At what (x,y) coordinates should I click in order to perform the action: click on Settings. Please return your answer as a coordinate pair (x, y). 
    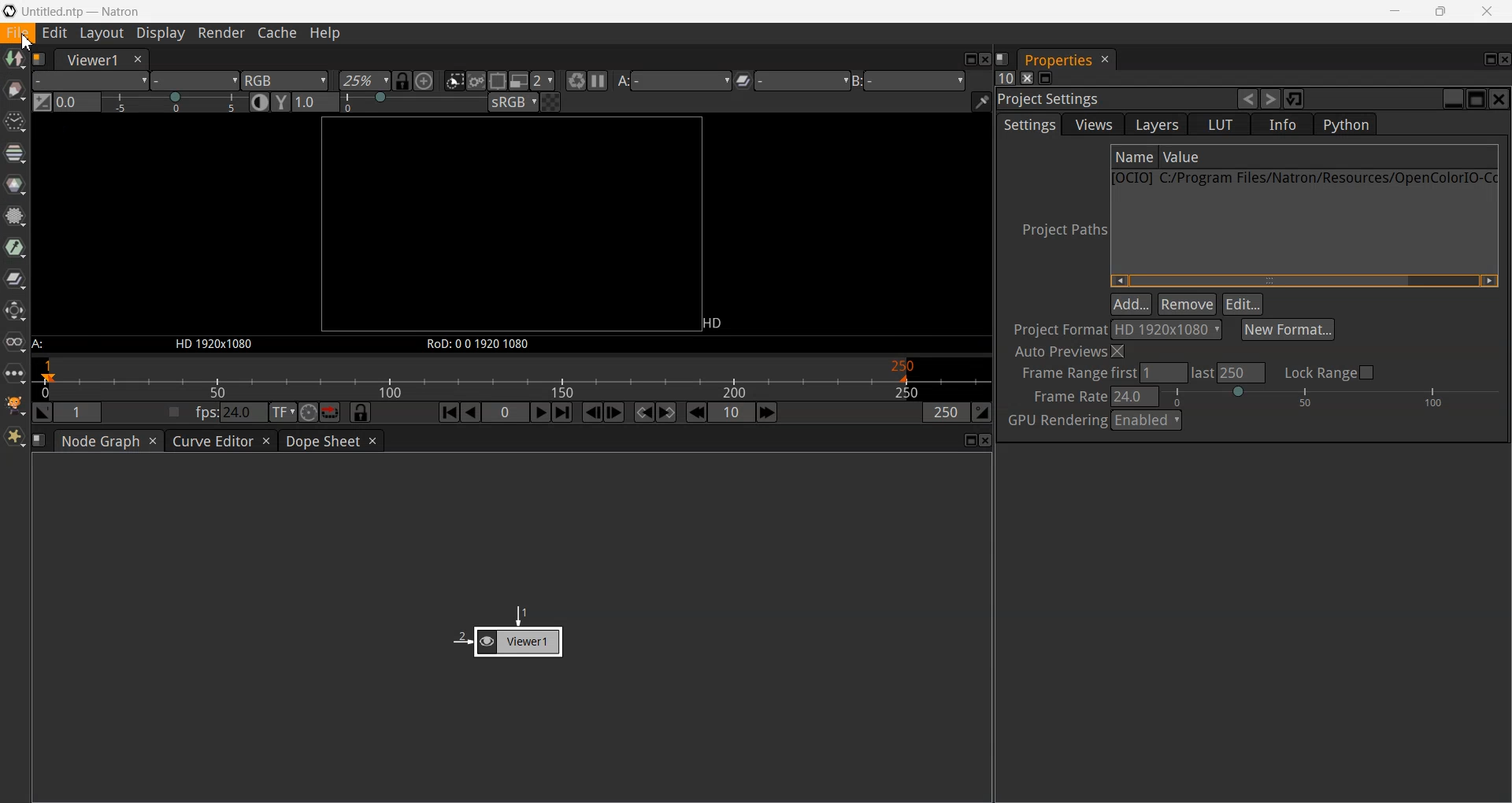
    Looking at the image, I should click on (1028, 124).